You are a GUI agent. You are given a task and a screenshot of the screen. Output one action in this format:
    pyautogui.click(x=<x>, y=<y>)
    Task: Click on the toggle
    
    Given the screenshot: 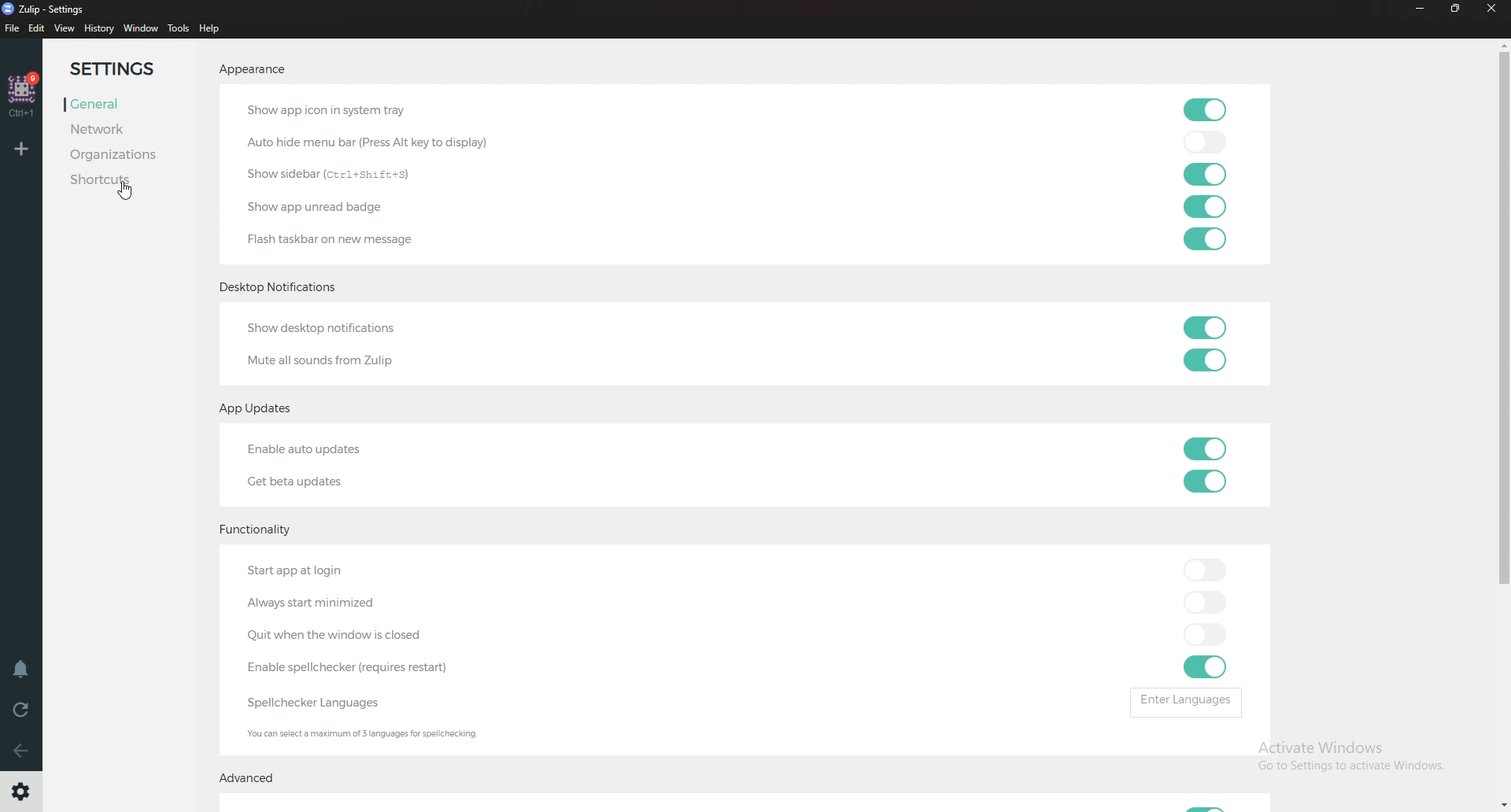 What is the action you would take?
    pyautogui.click(x=1206, y=142)
    